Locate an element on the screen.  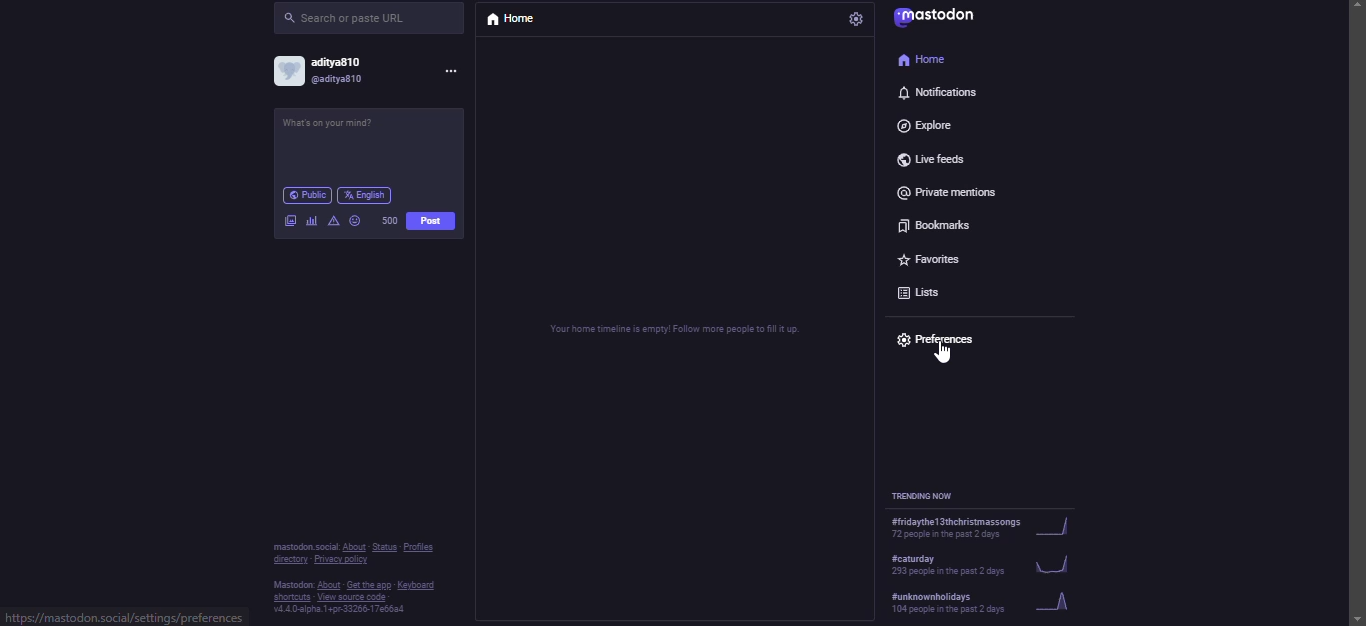
notifications is located at coordinates (934, 94).